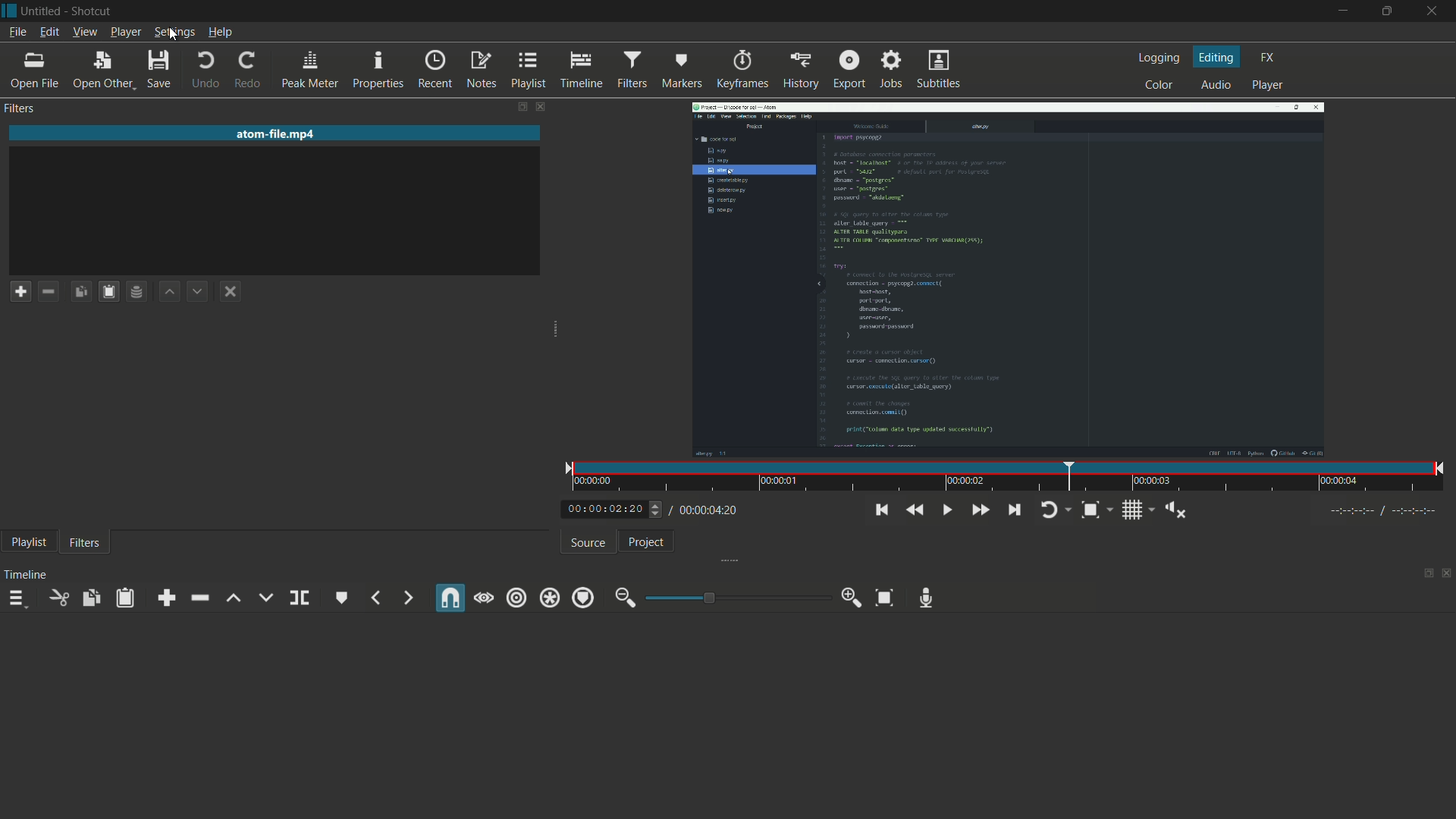  What do you see at coordinates (1447, 575) in the screenshot?
I see `close timeline` at bounding box center [1447, 575].